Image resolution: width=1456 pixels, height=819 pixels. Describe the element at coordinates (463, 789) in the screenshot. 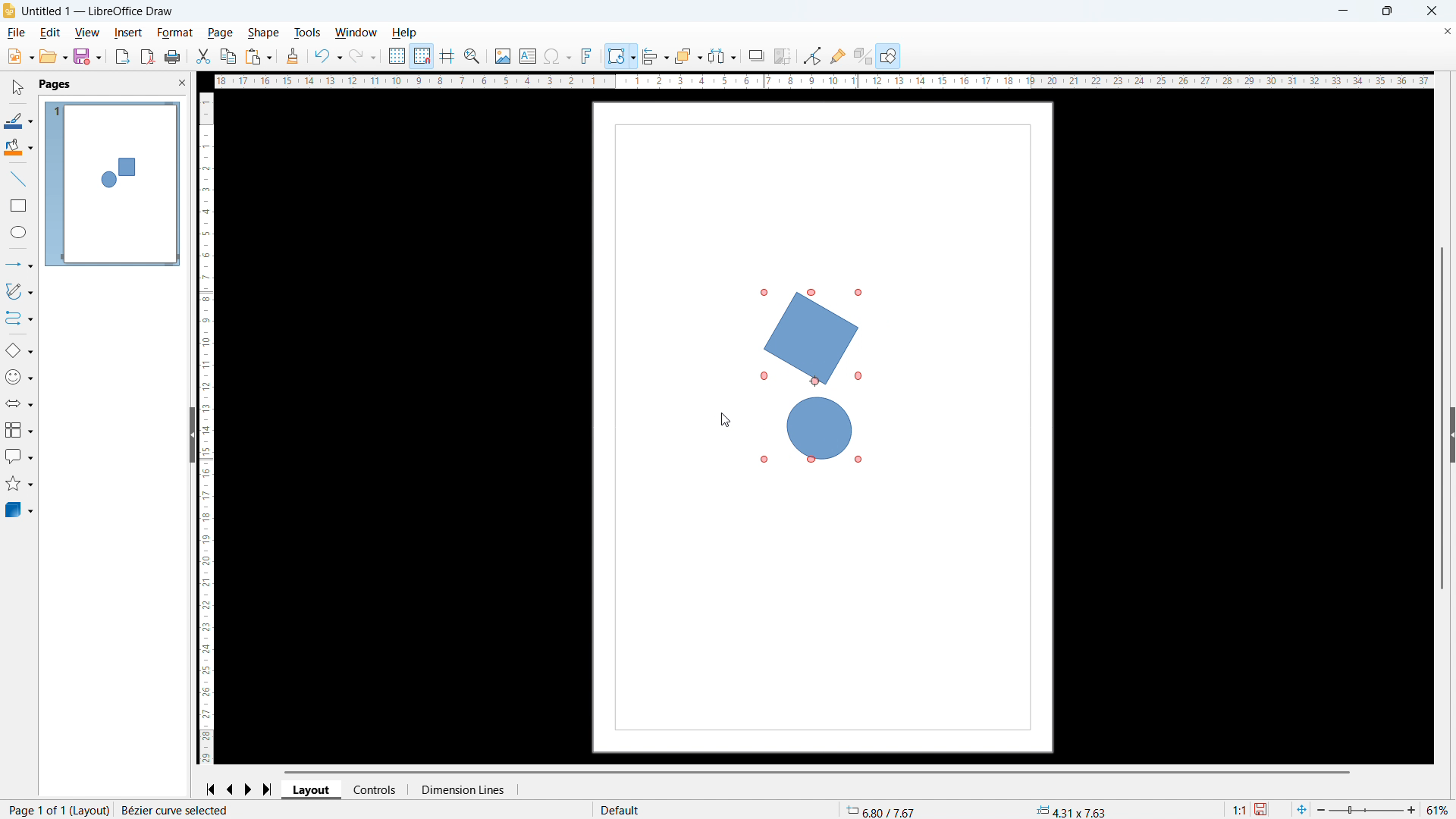

I see `Dimension lines ` at that location.